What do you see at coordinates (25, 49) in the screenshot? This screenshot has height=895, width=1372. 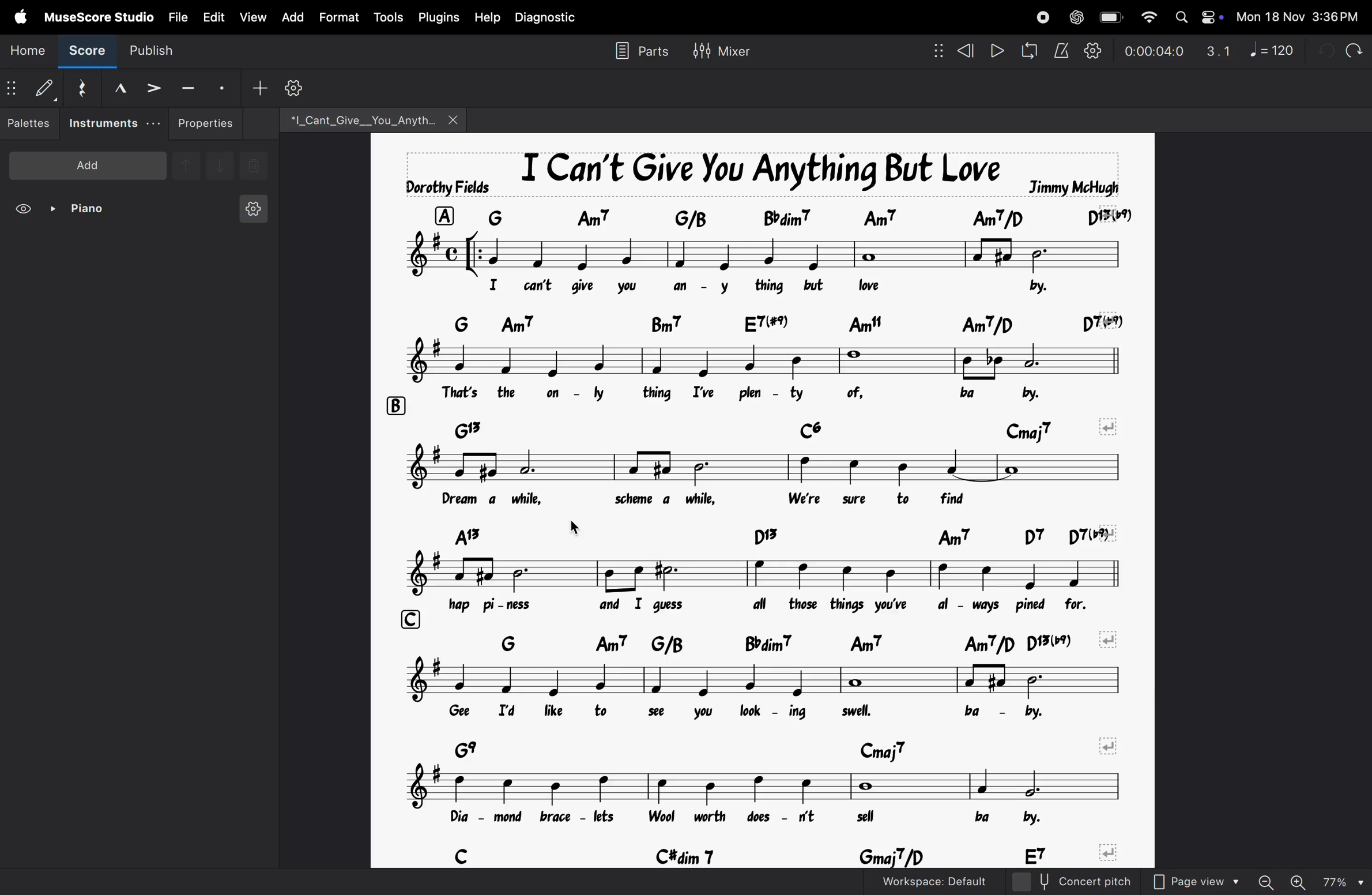 I see `home` at bounding box center [25, 49].